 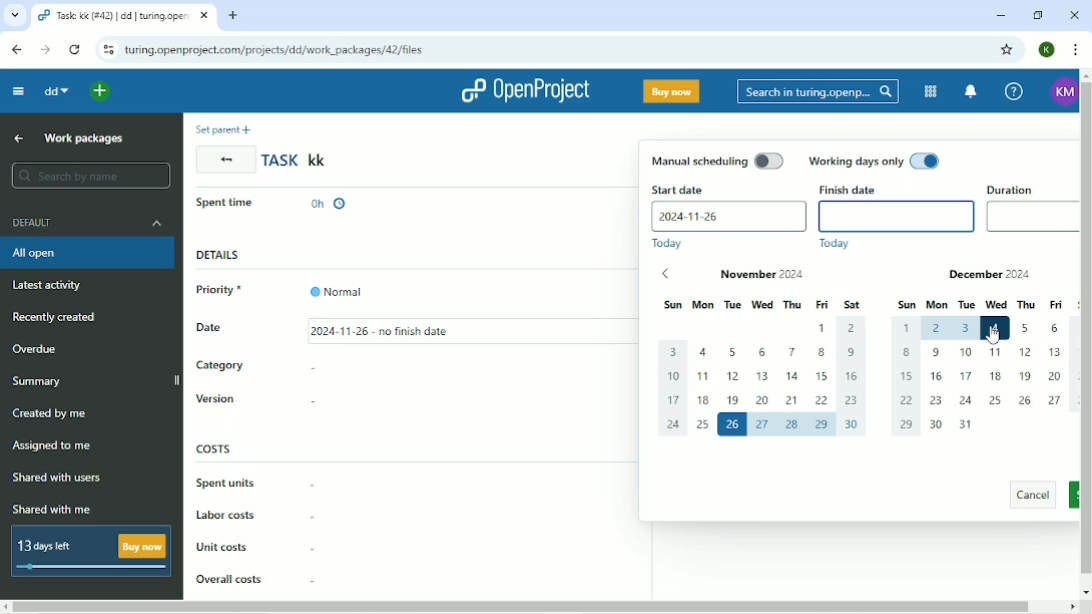 I want to click on Priority *, so click(x=227, y=290).